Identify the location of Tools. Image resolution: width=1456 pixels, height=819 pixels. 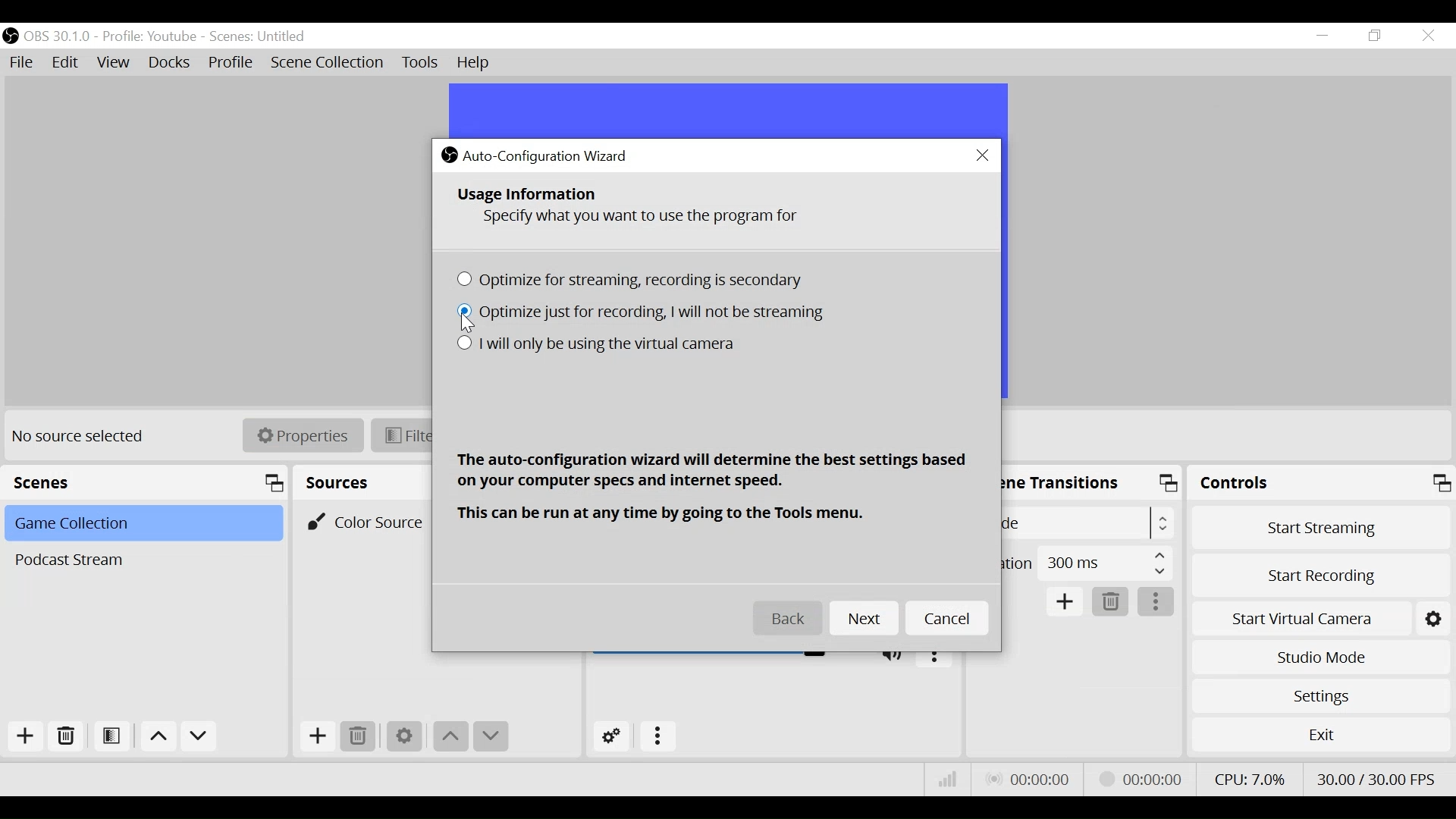
(420, 63).